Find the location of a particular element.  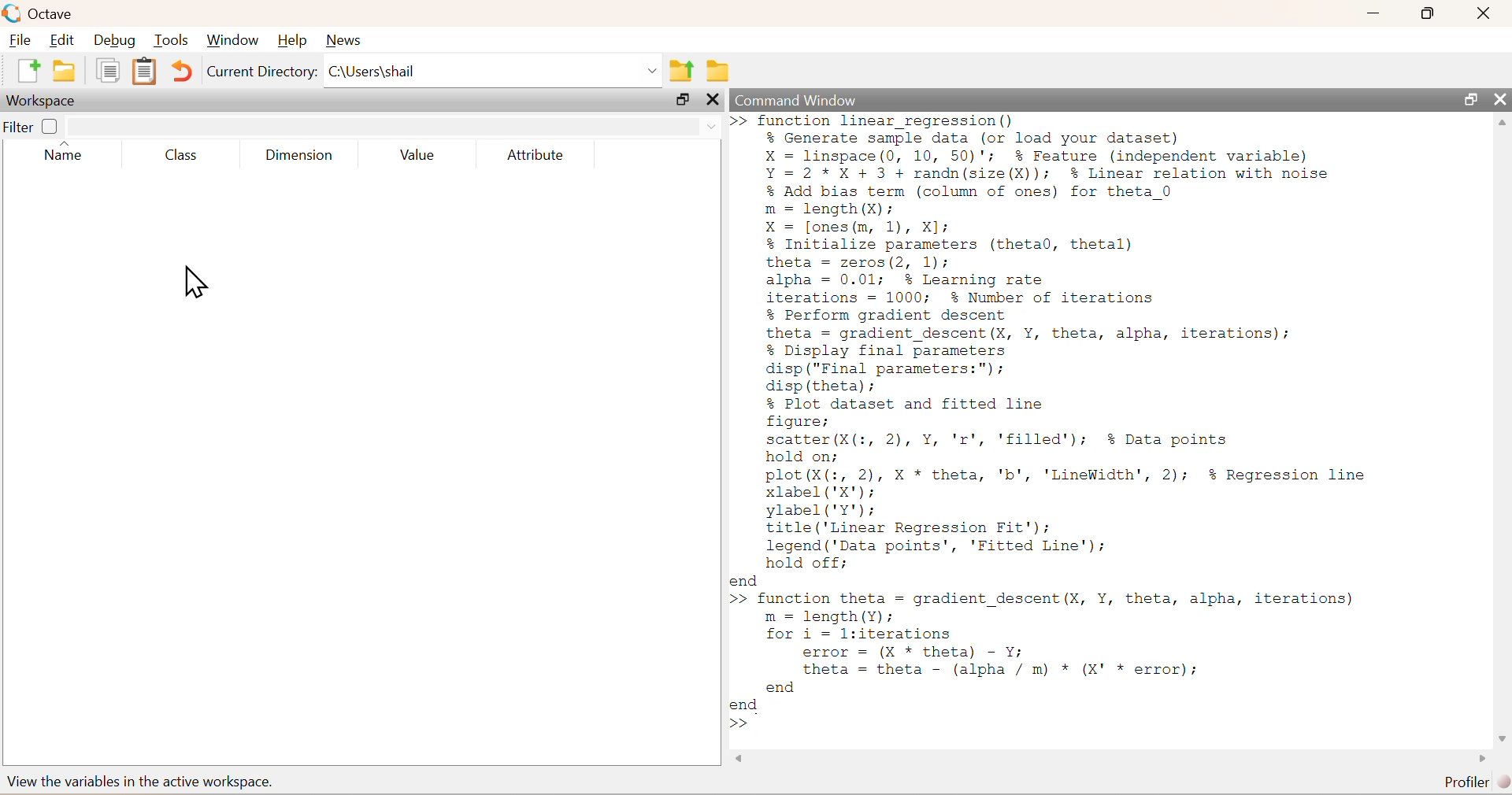

document is located at coordinates (108, 70).